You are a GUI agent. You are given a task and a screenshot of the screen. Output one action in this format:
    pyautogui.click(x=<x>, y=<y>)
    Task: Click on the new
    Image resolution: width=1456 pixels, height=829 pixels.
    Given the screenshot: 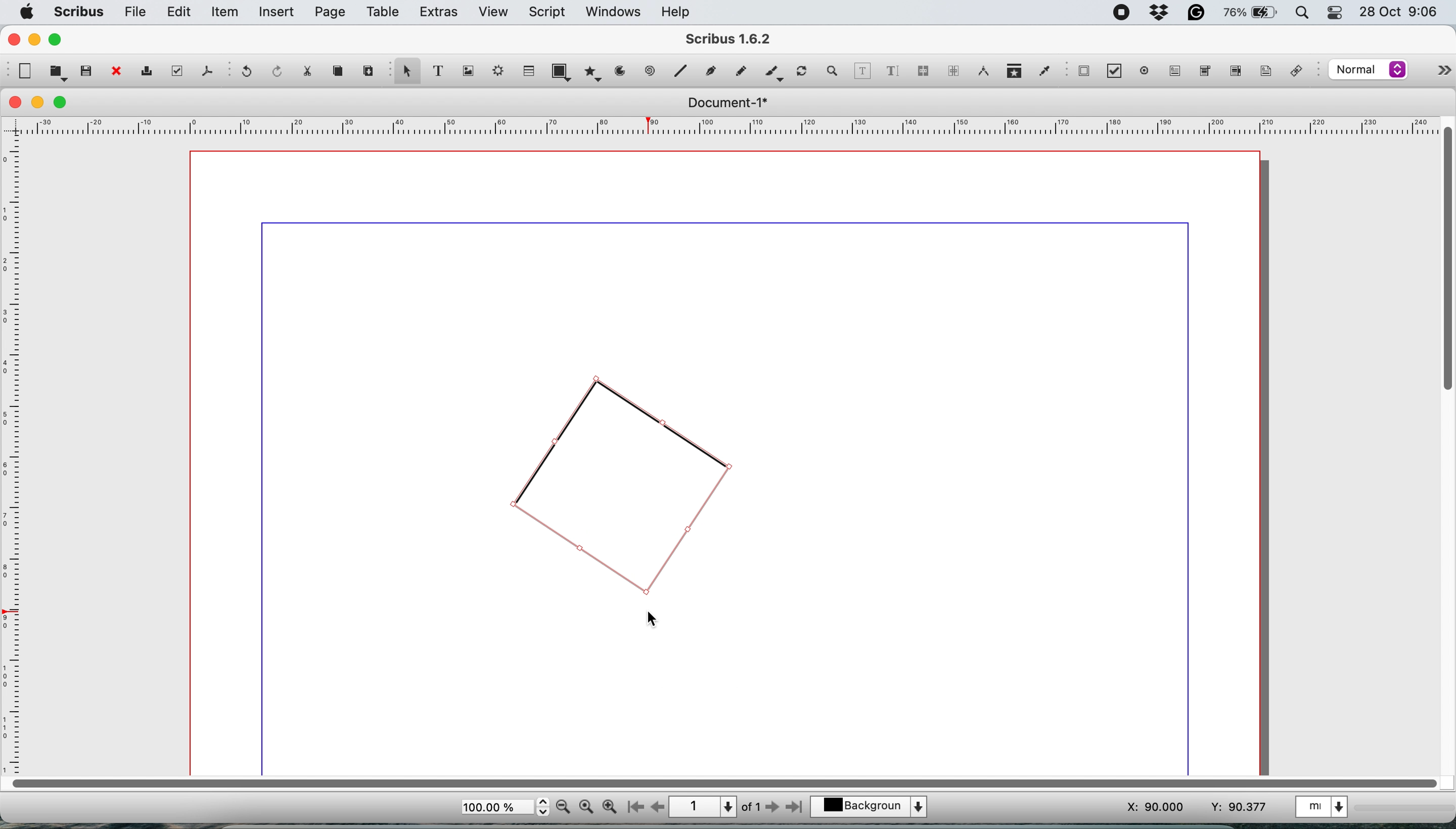 What is the action you would take?
    pyautogui.click(x=25, y=71)
    